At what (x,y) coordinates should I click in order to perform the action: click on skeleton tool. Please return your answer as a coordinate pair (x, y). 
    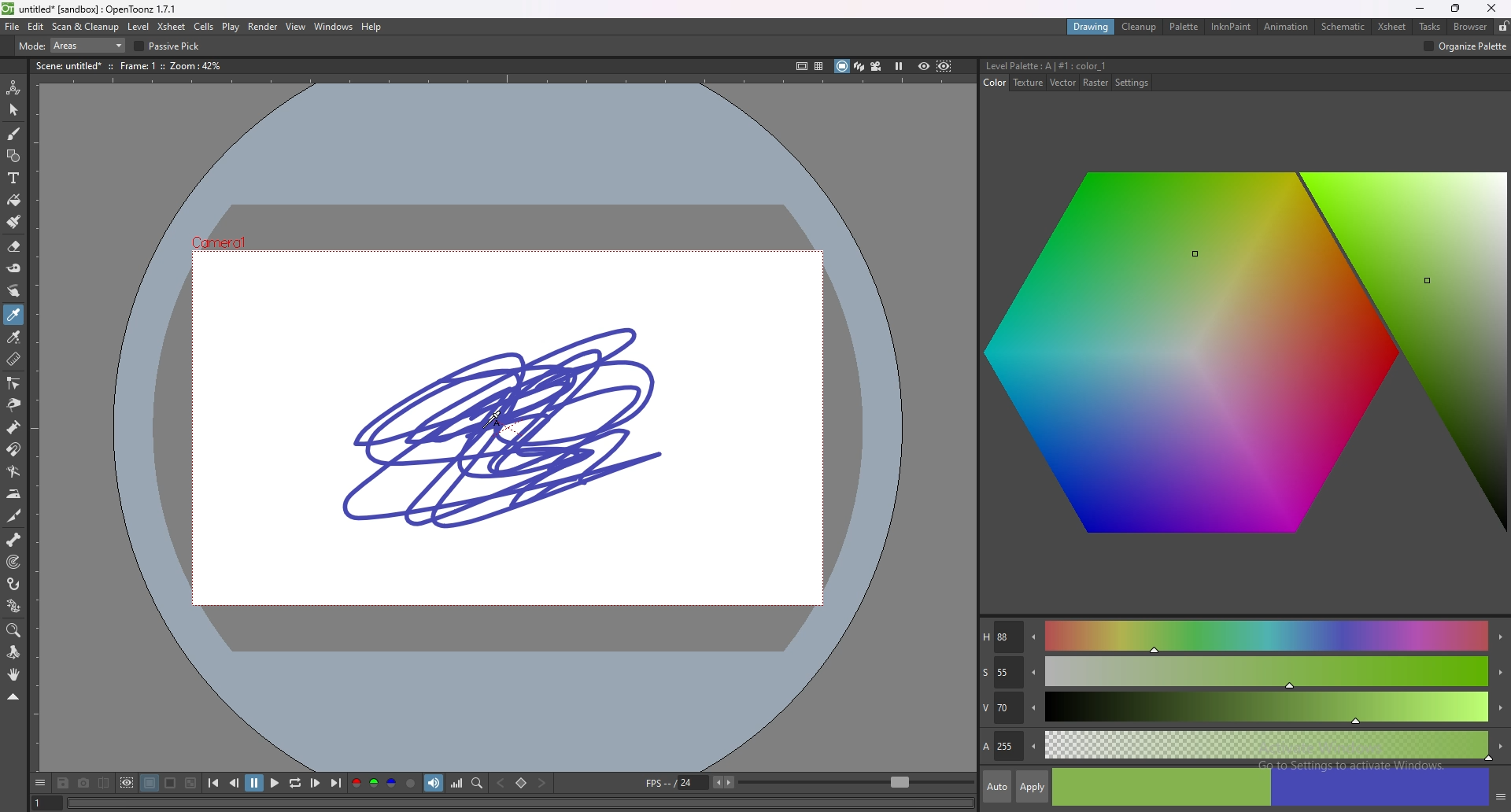
    Looking at the image, I should click on (14, 539).